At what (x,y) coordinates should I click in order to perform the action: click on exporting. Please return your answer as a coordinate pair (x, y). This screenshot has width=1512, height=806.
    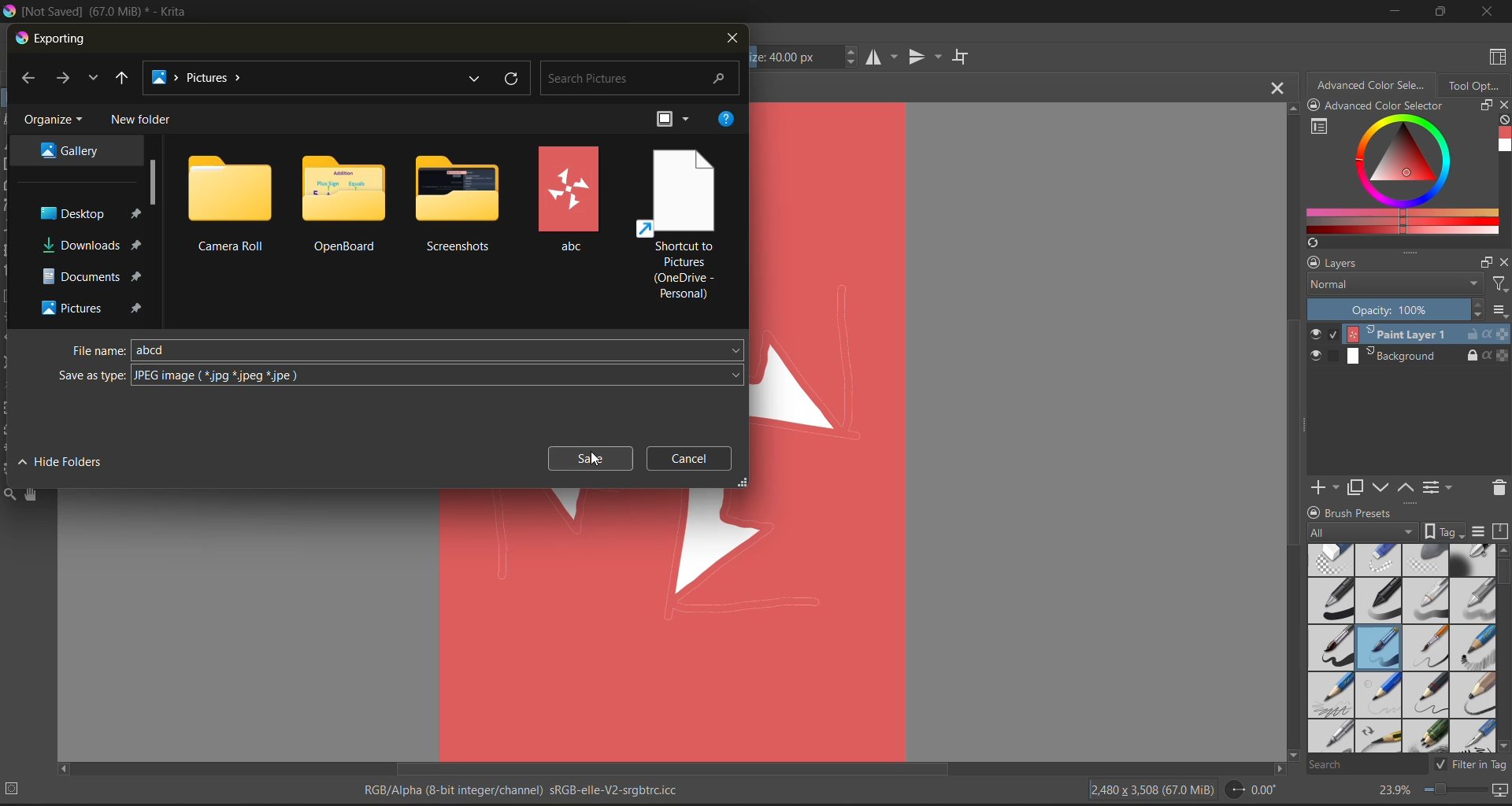
    Looking at the image, I should click on (56, 39).